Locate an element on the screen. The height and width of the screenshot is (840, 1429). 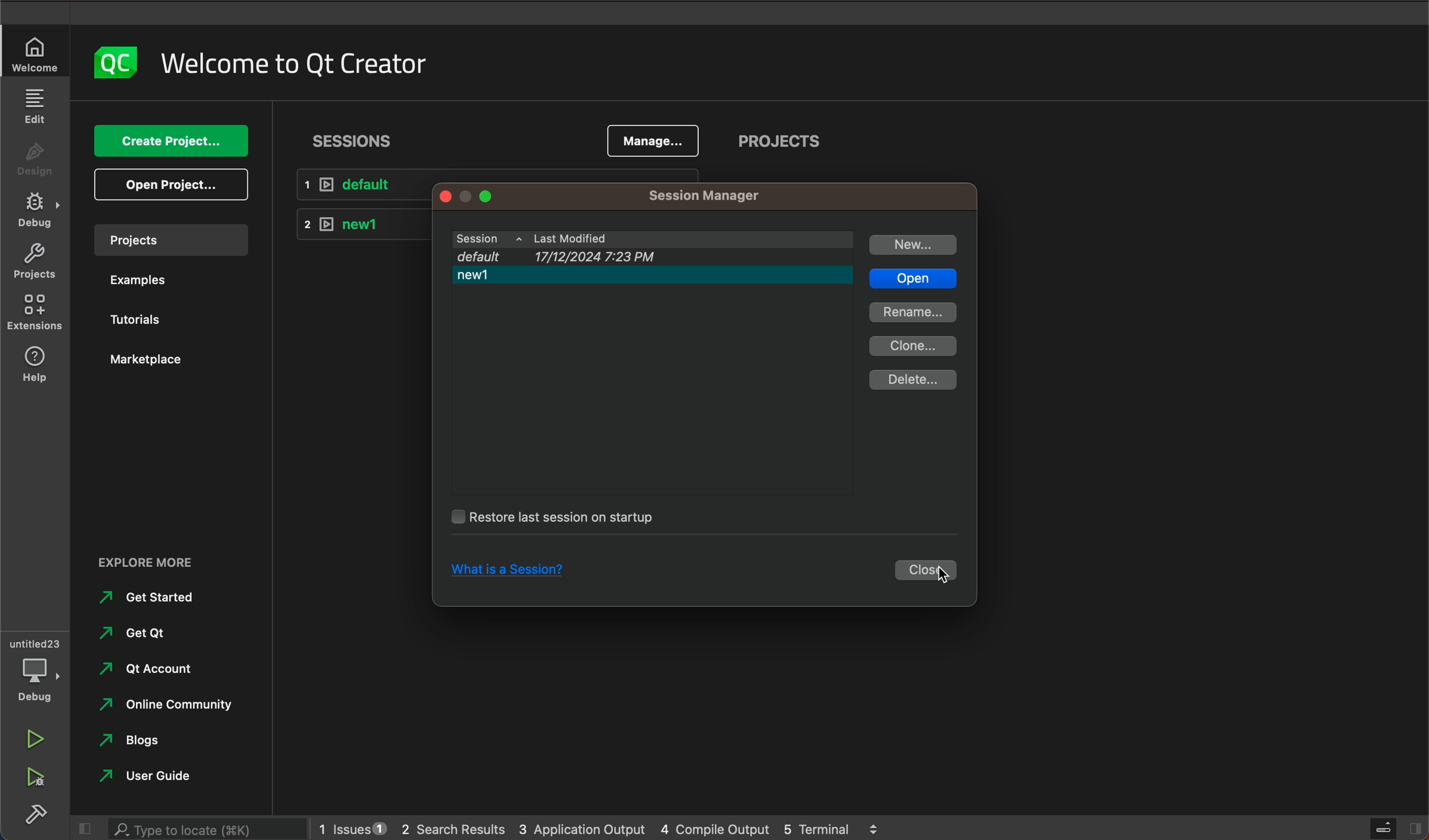
search results is located at coordinates (453, 828).